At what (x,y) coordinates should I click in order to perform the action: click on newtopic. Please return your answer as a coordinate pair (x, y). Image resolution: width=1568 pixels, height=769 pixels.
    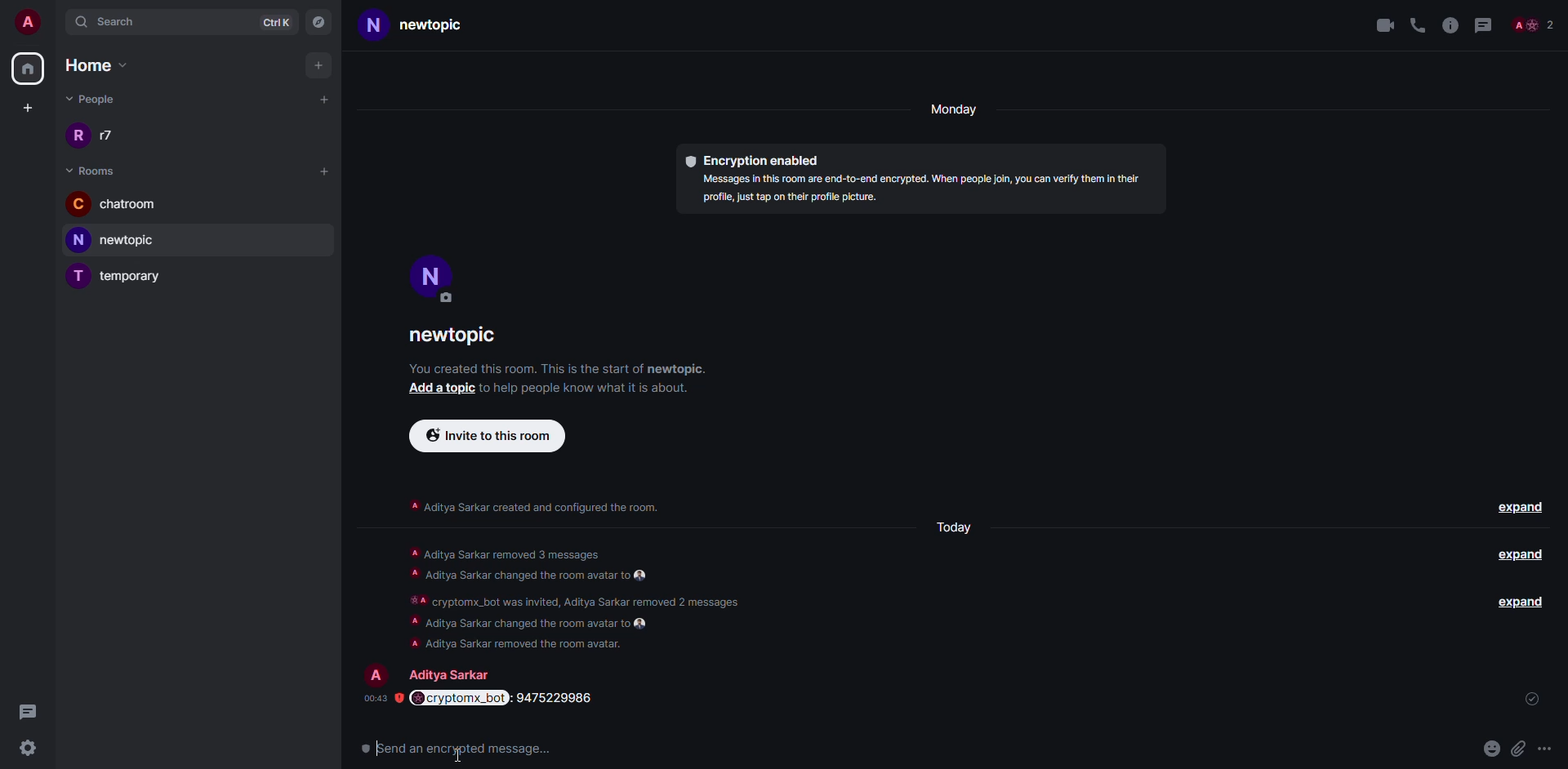
    Looking at the image, I should click on (467, 336).